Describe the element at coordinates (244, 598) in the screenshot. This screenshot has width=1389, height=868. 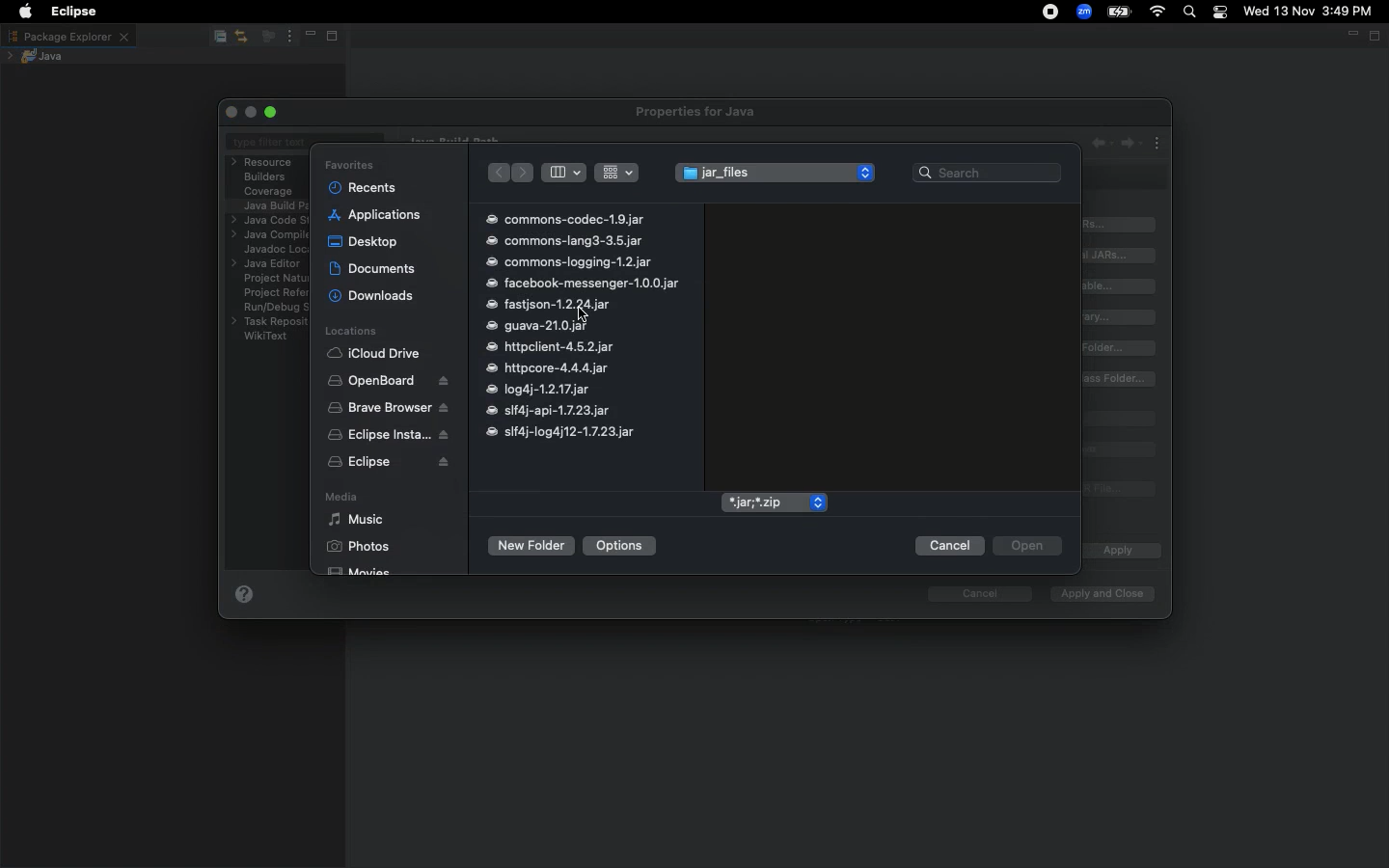
I see `Help` at that location.